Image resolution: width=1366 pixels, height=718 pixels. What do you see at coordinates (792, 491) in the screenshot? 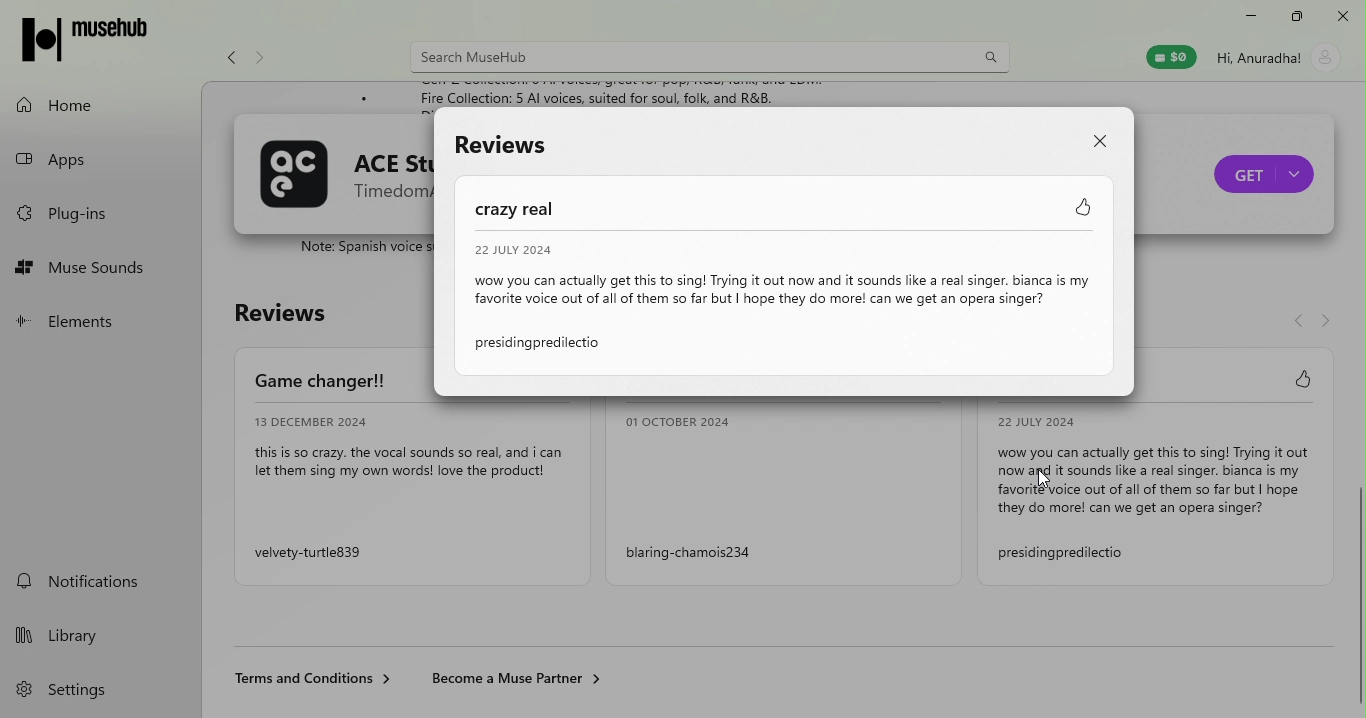
I see `Review` at bounding box center [792, 491].